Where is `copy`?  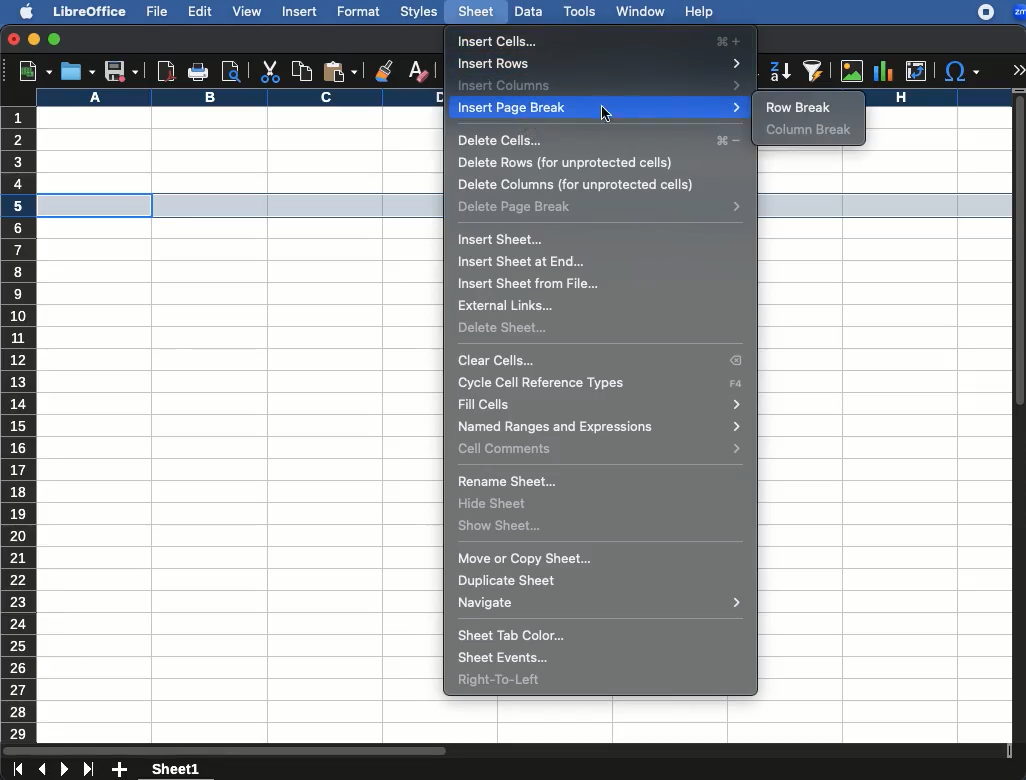
copy is located at coordinates (299, 72).